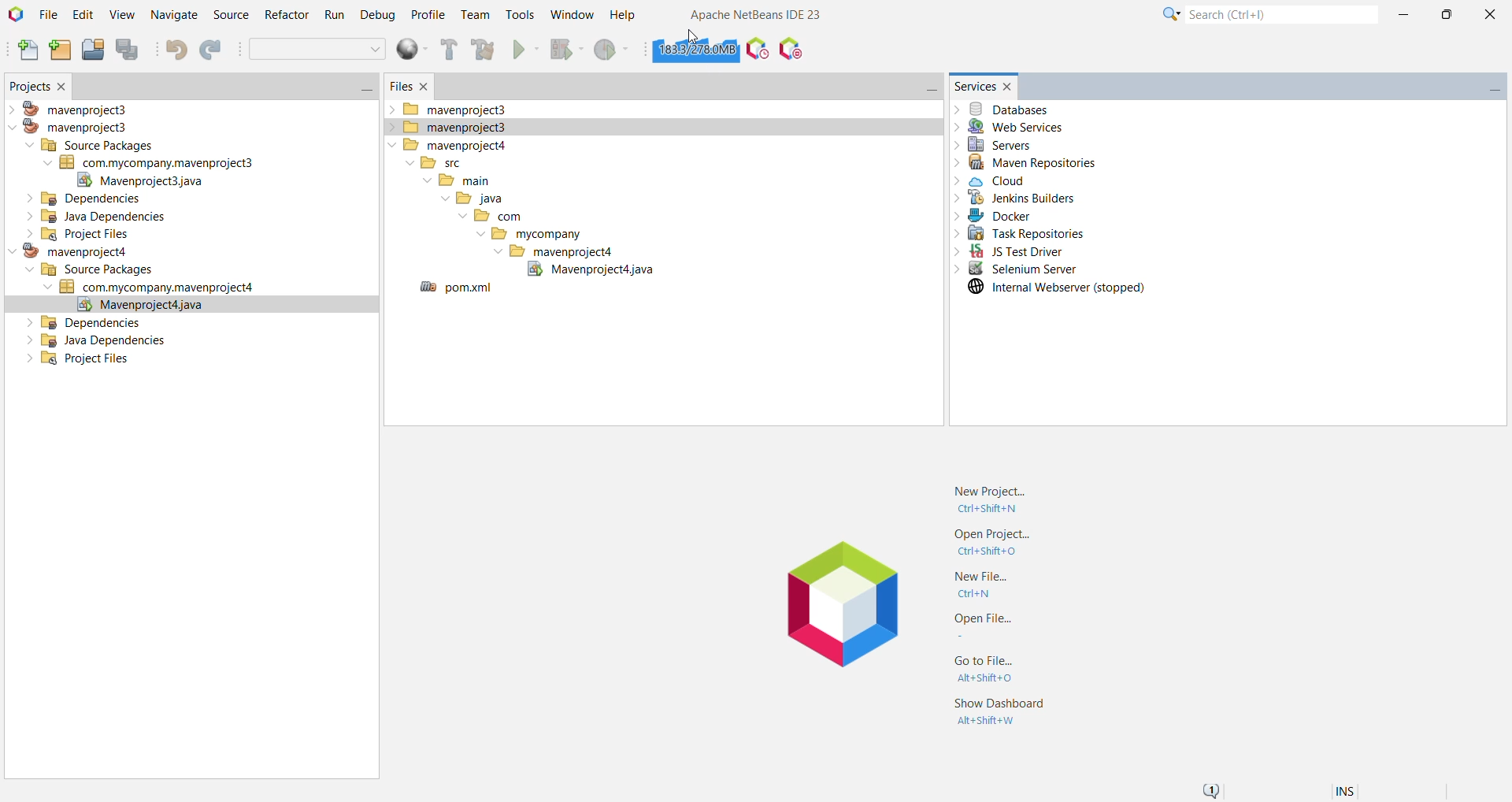 The height and width of the screenshot is (802, 1512). Describe the element at coordinates (67, 84) in the screenshot. I see `Close Window` at that location.